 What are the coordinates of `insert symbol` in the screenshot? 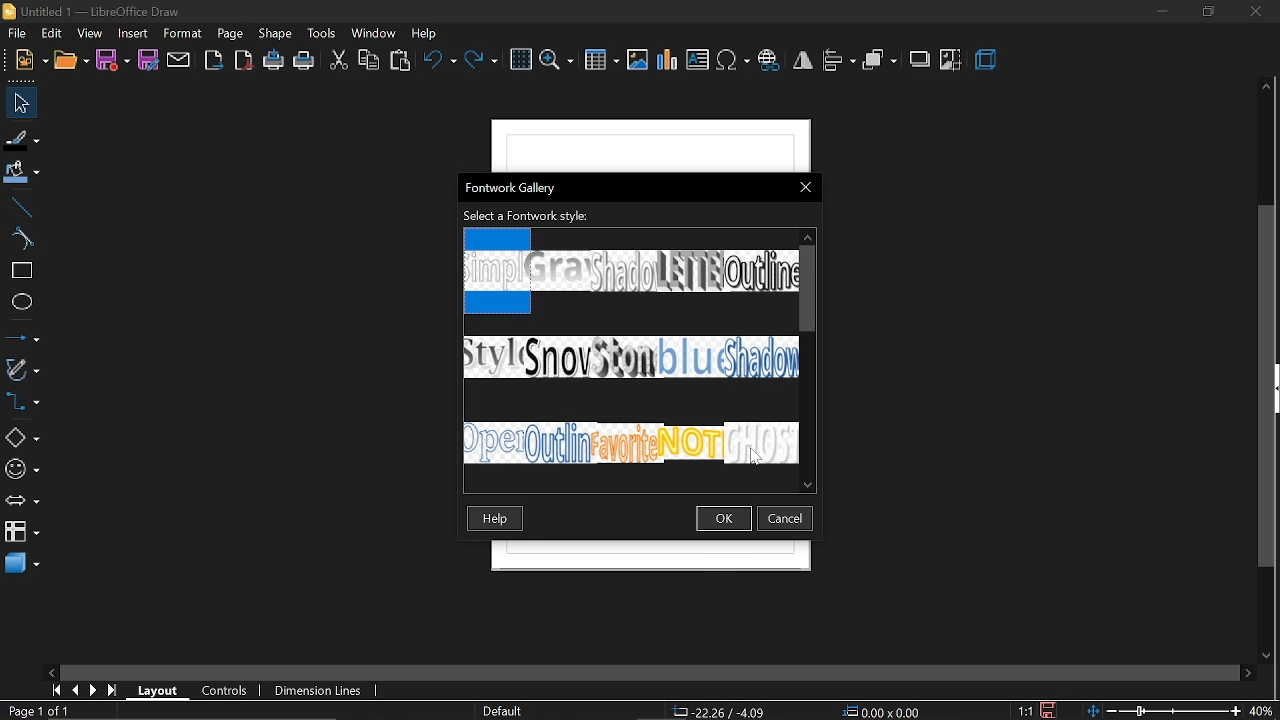 It's located at (734, 61).